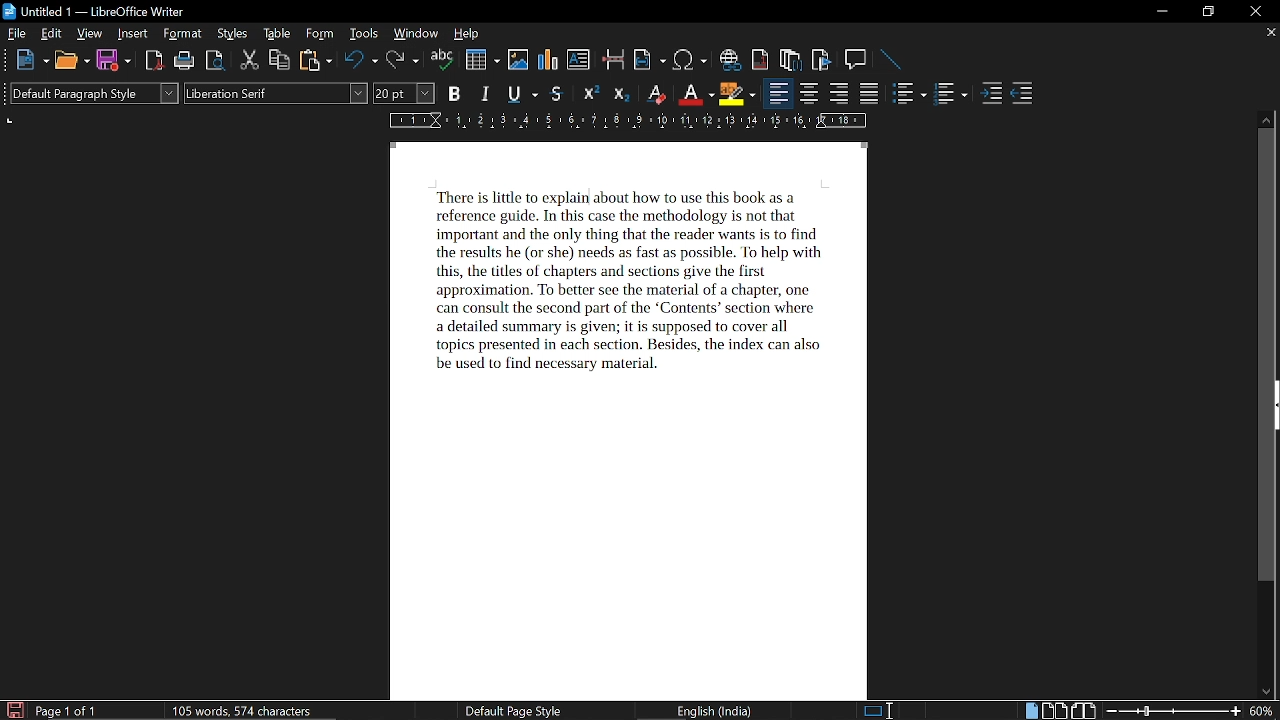  Describe the element at coordinates (8, 96) in the screenshot. I see `` at that location.